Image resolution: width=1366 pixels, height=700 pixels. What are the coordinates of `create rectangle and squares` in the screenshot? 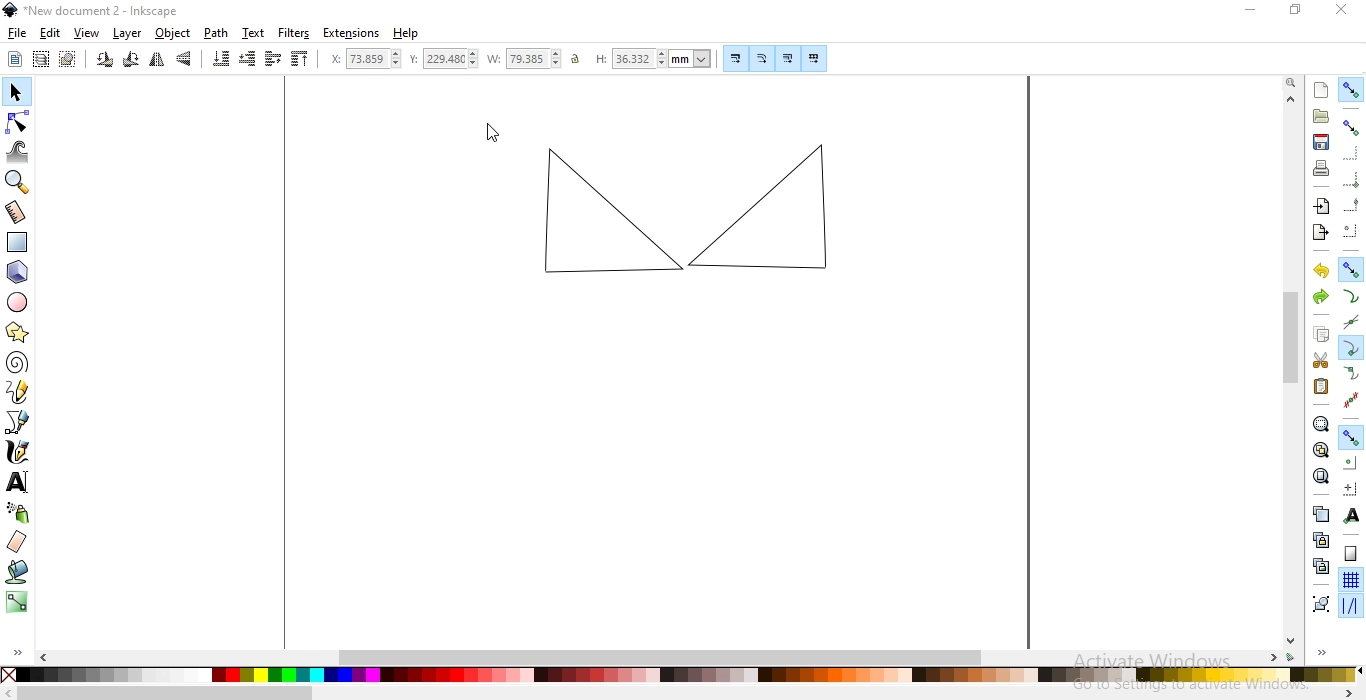 It's located at (21, 241).